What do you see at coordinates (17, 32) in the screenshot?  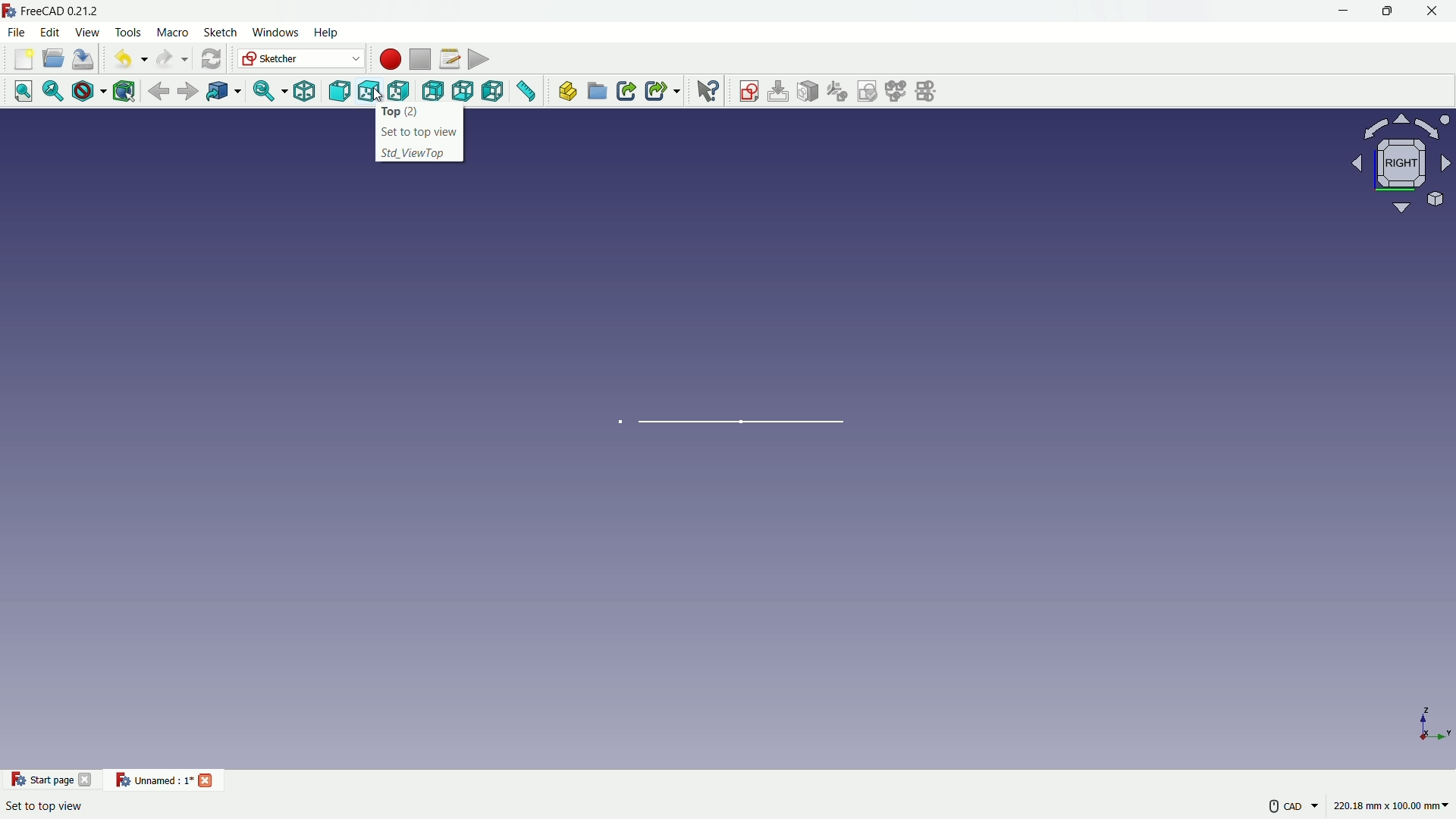 I see `file menu` at bounding box center [17, 32].